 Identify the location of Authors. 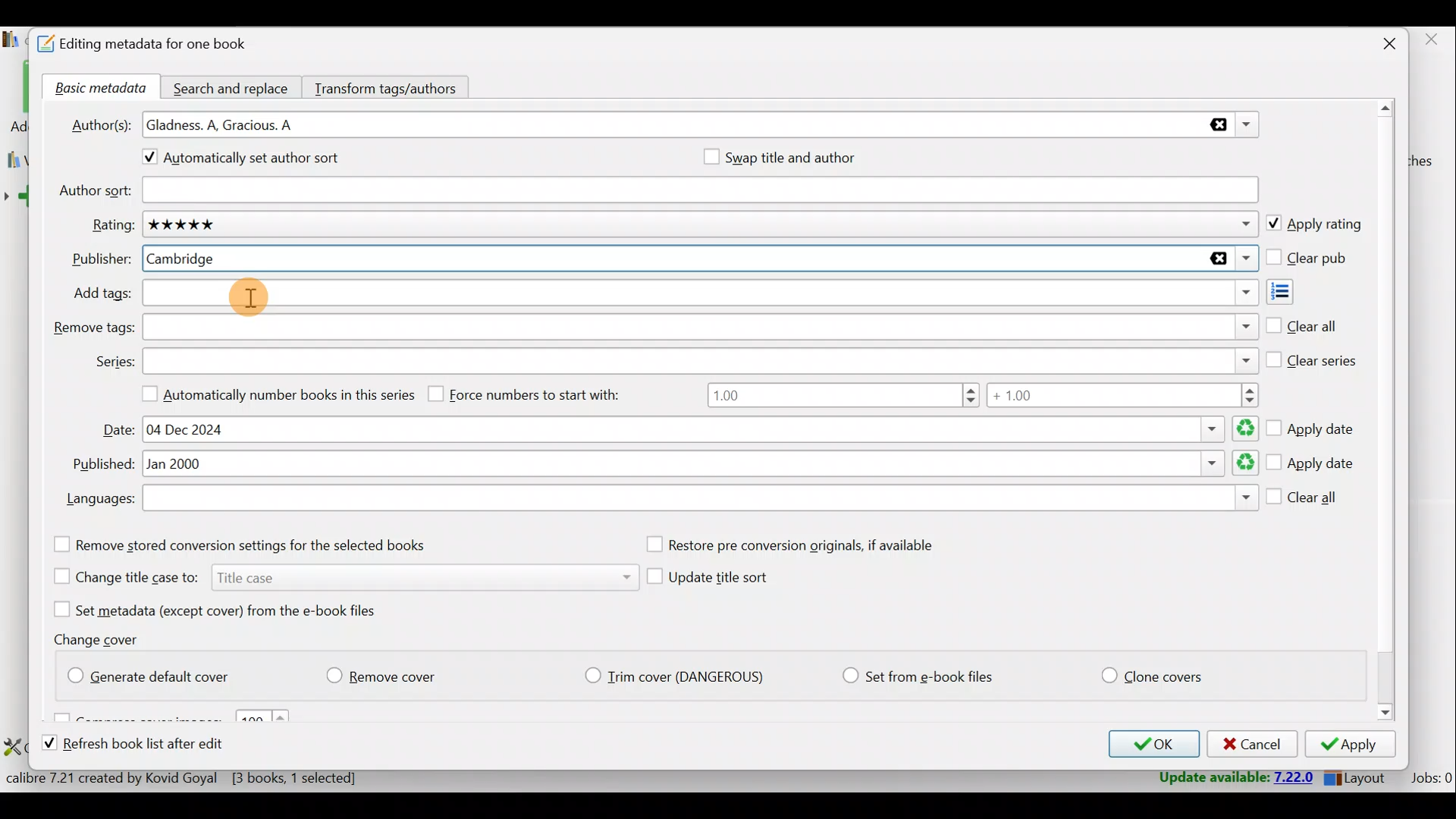
(702, 126).